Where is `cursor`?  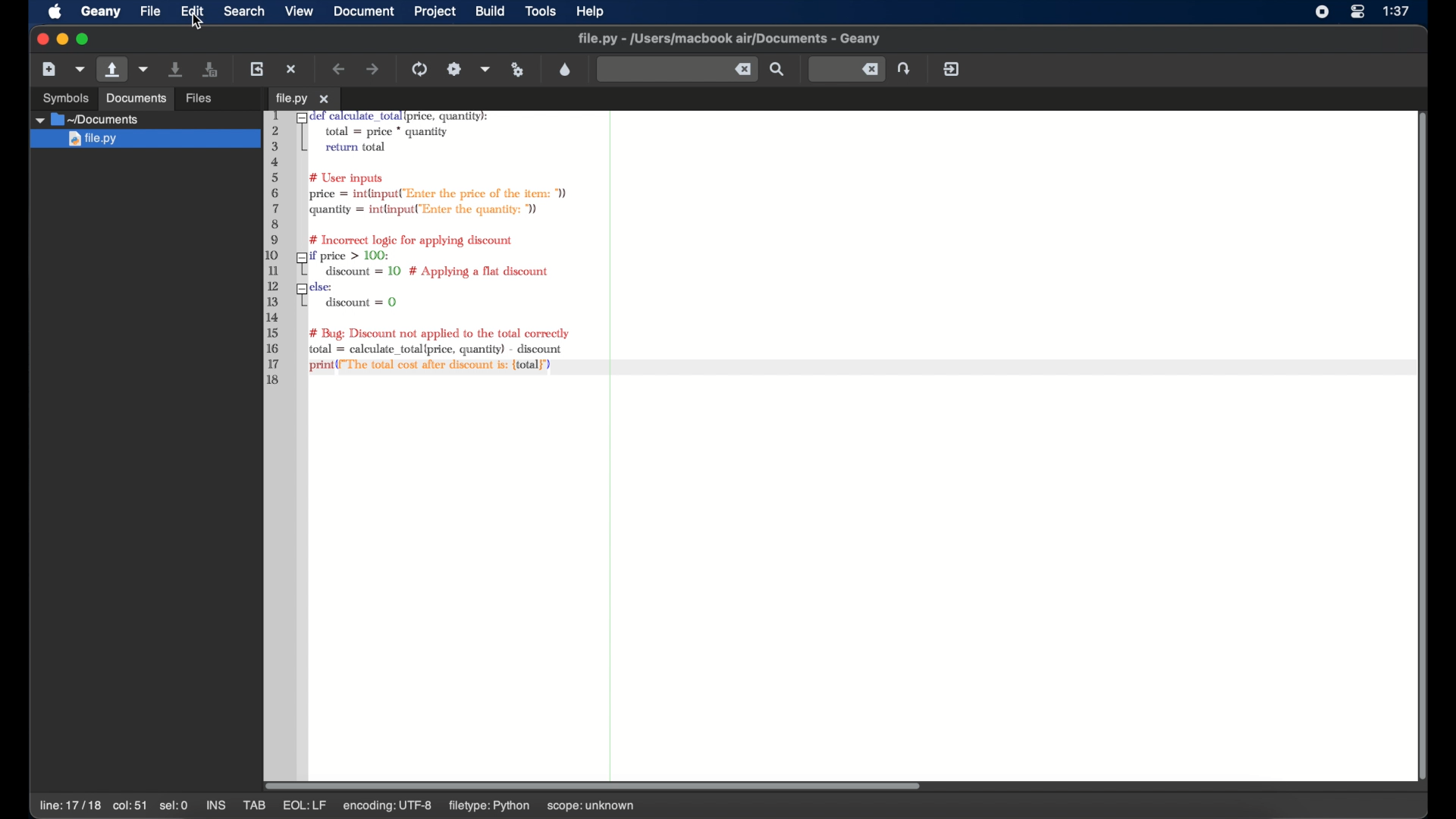 cursor is located at coordinates (199, 24).